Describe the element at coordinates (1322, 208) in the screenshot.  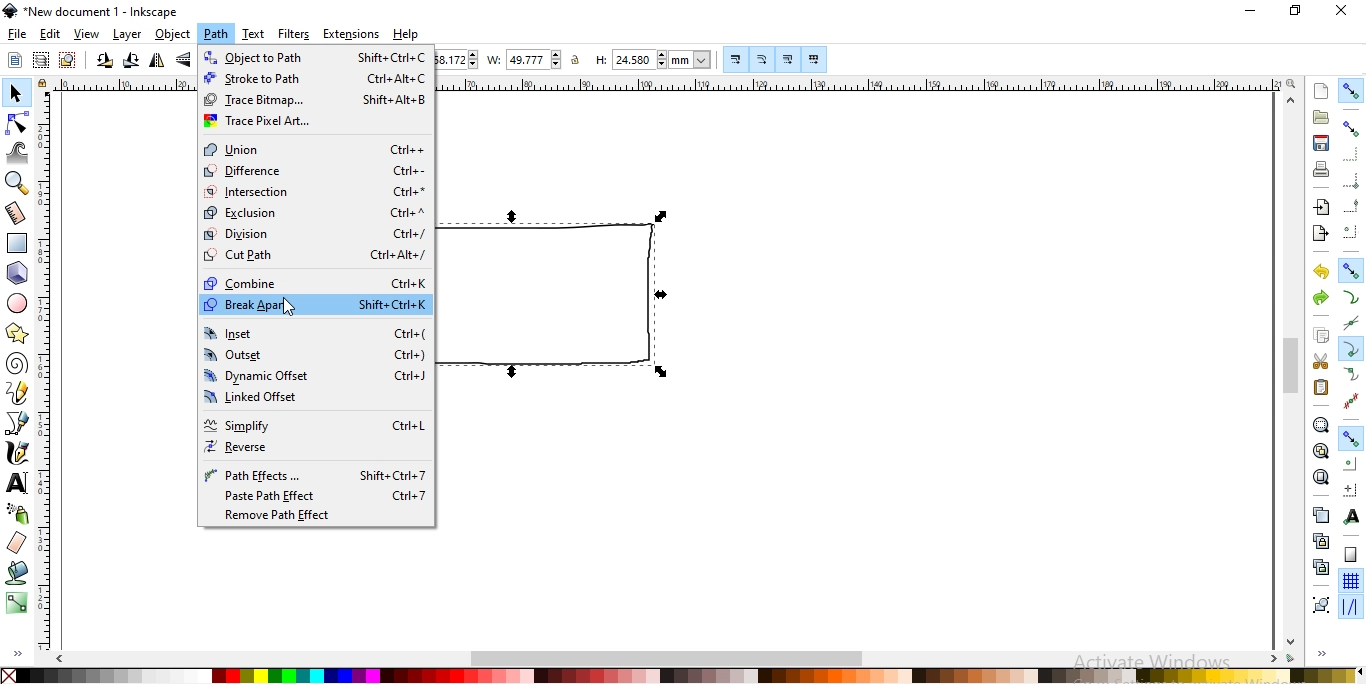
I see `import a bitmap` at that location.